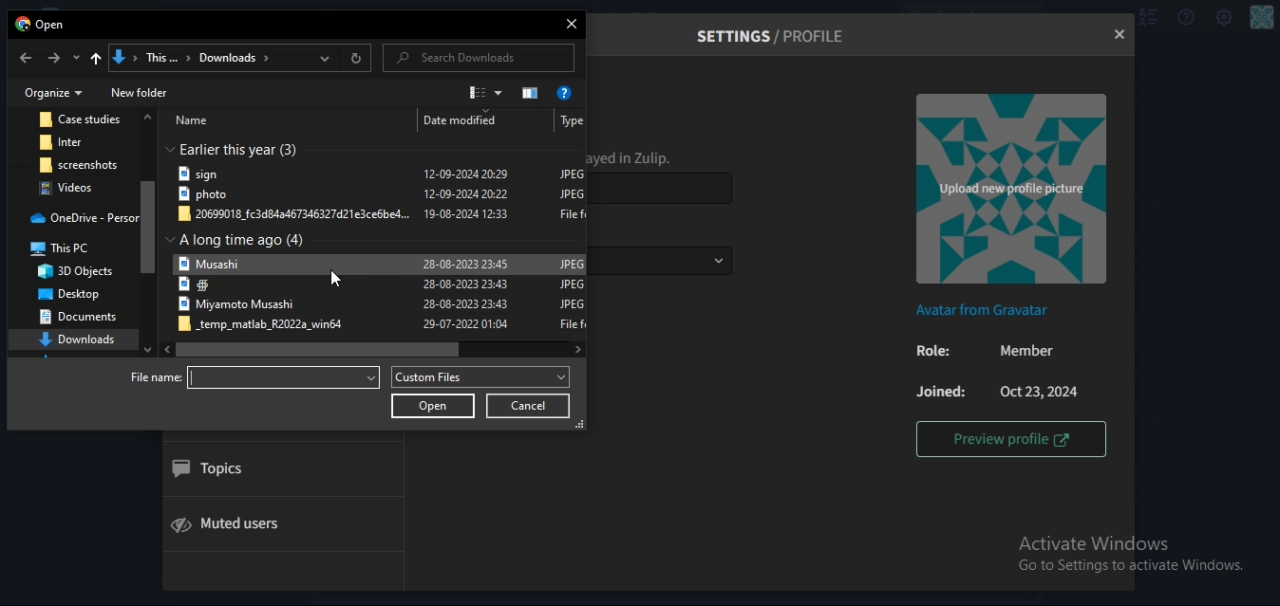  I want to click on scroll down, so click(148, 347).